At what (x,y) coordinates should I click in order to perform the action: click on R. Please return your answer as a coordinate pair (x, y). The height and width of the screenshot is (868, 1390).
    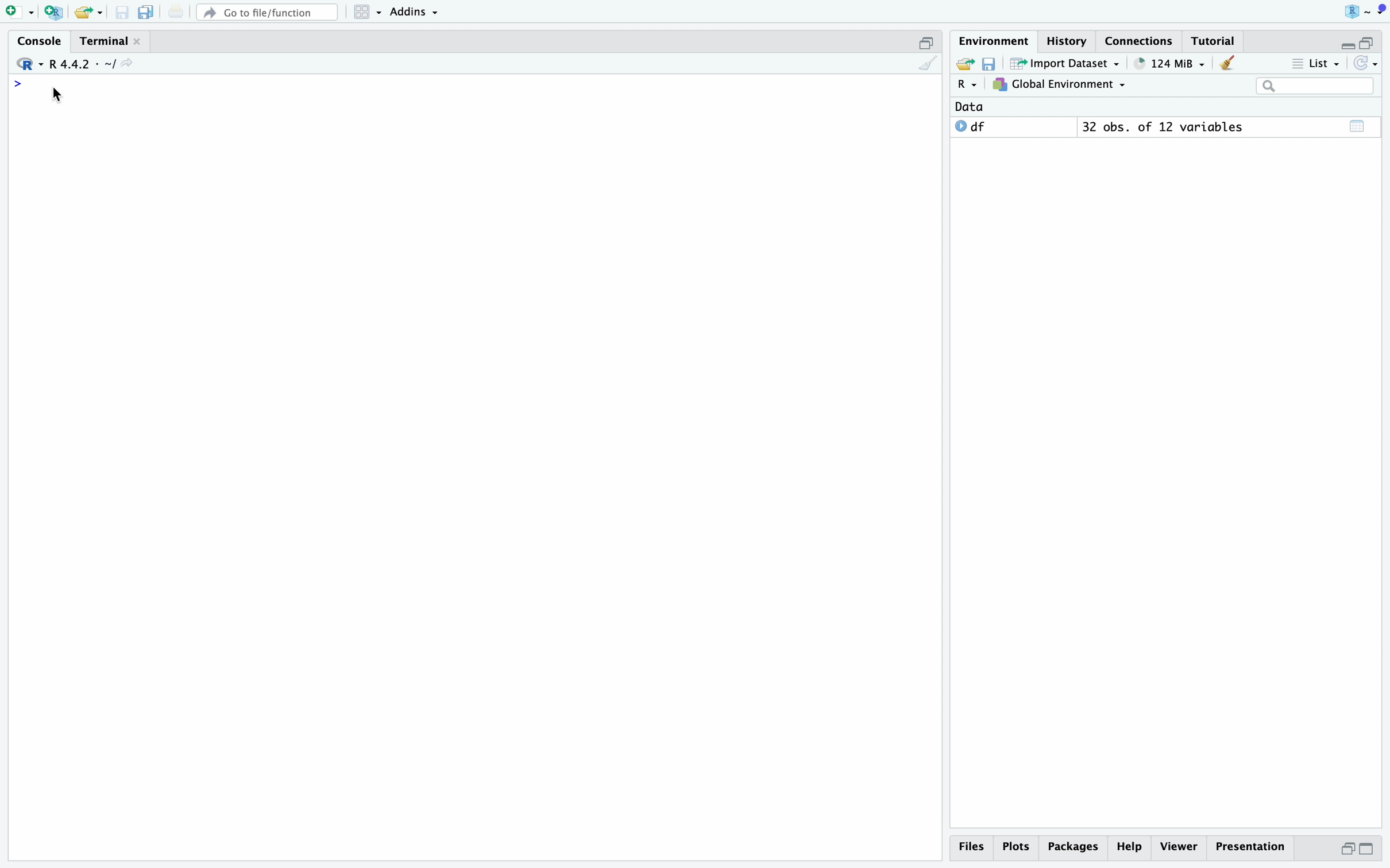
    Looking at the image, I should click on (969, 84).